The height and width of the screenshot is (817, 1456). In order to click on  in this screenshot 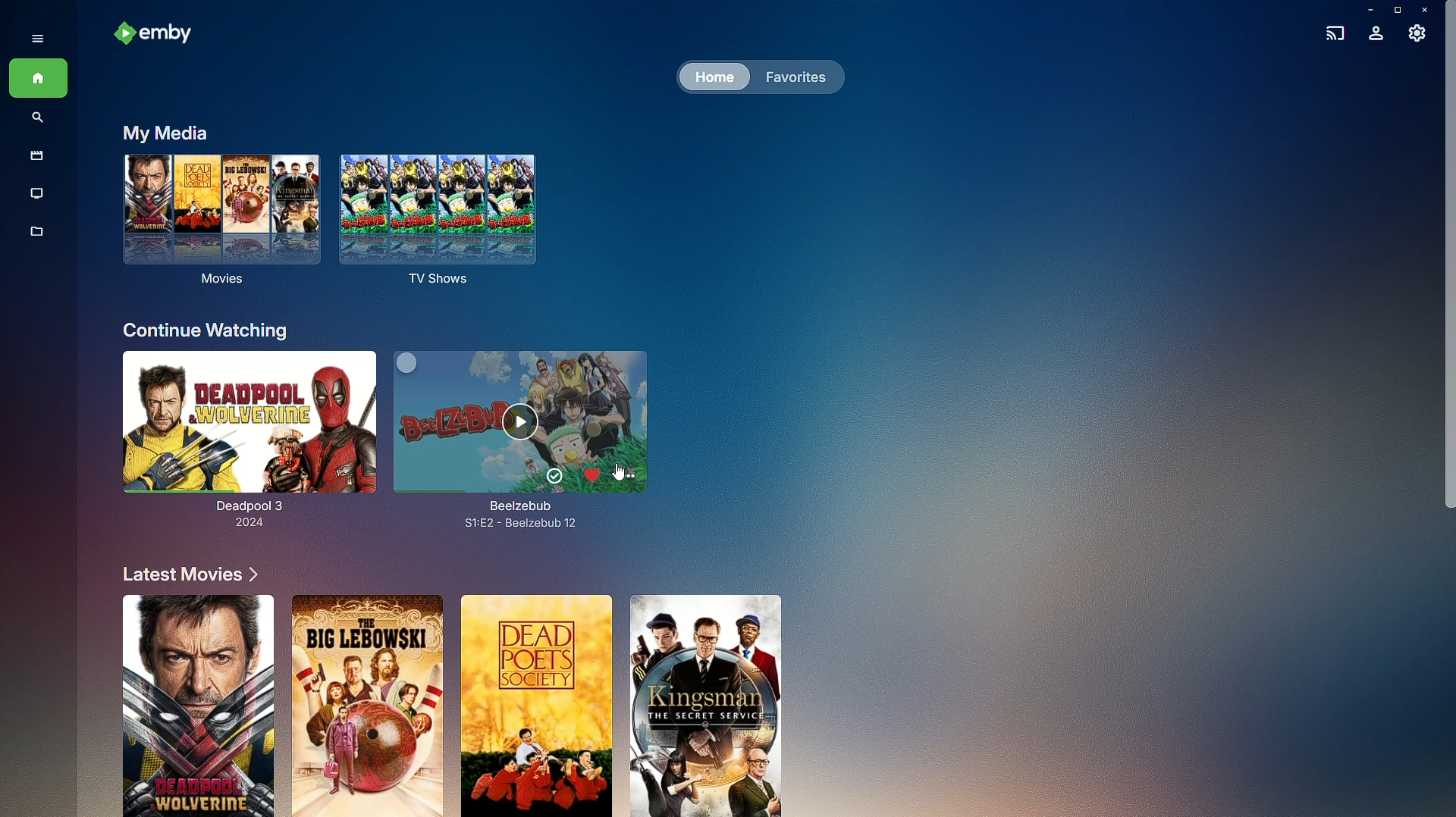, I will do `click(1451, 275)`.